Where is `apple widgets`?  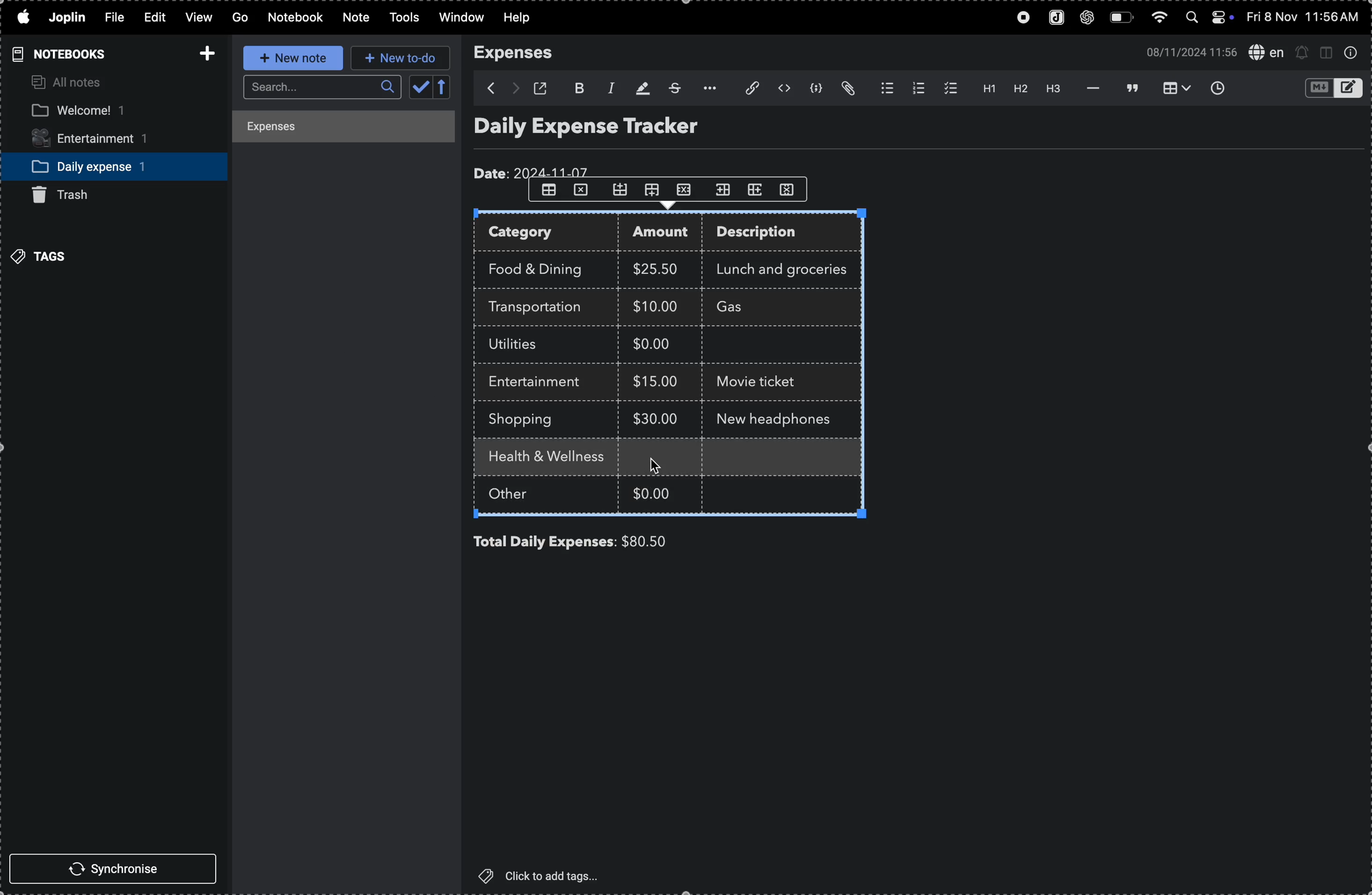
apple widgets is located at coordinates (1208, 18).